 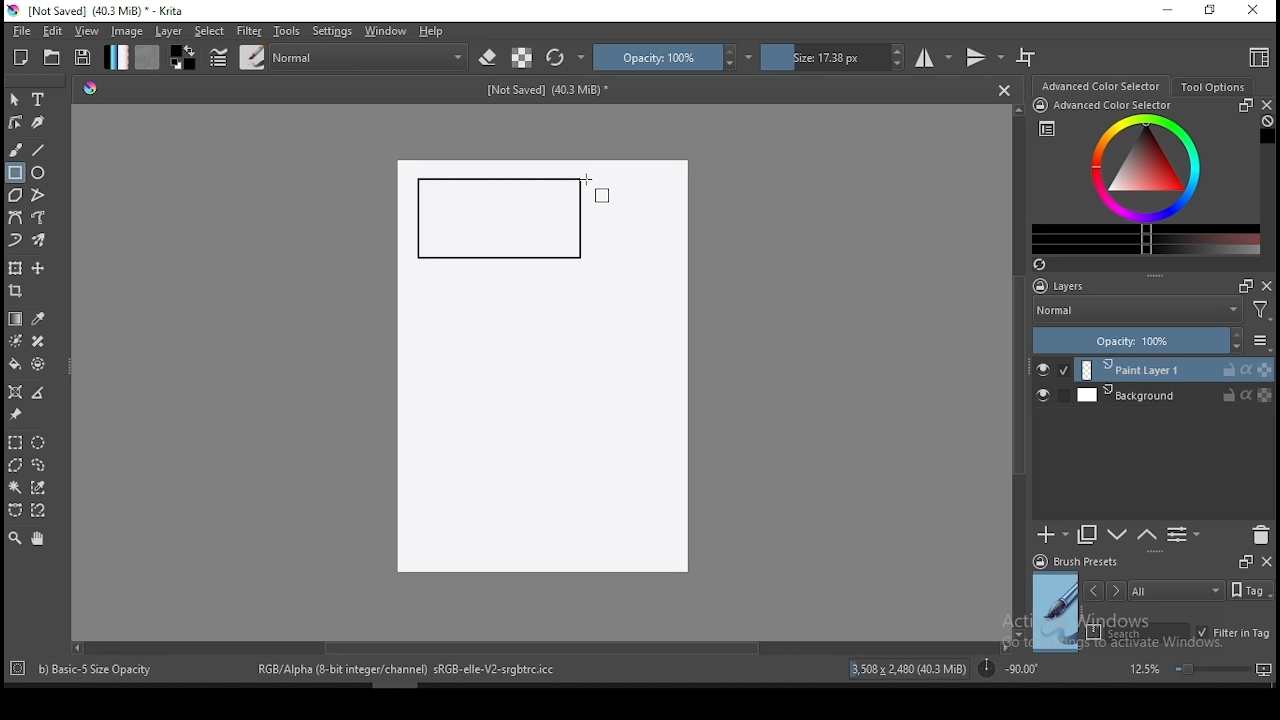 What do you see at coordinates (386, 31) in the screenshot?
I see `windows` at bounding box center [386, 31].